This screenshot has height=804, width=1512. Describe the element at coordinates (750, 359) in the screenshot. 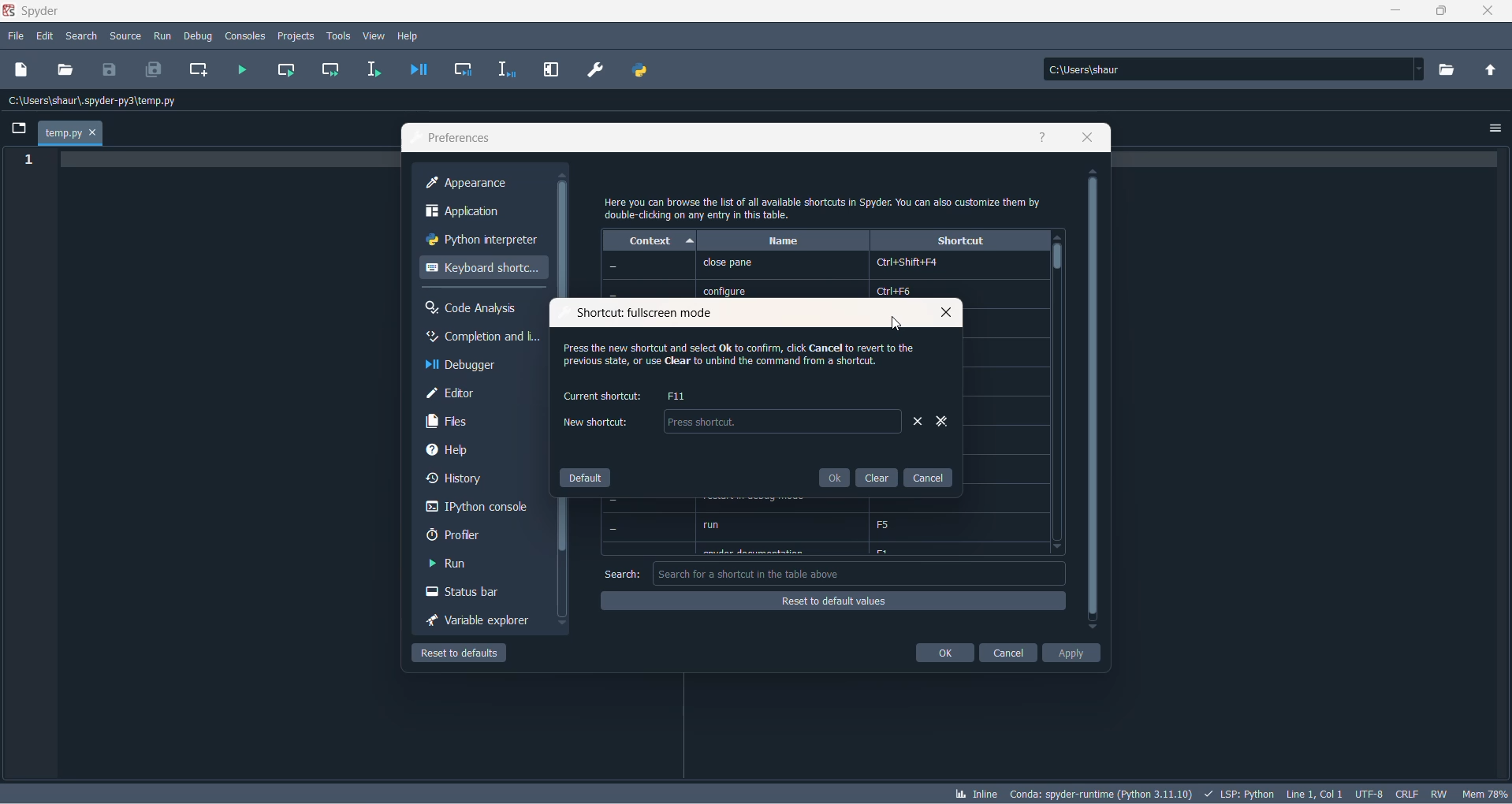

I see `text` at that location.